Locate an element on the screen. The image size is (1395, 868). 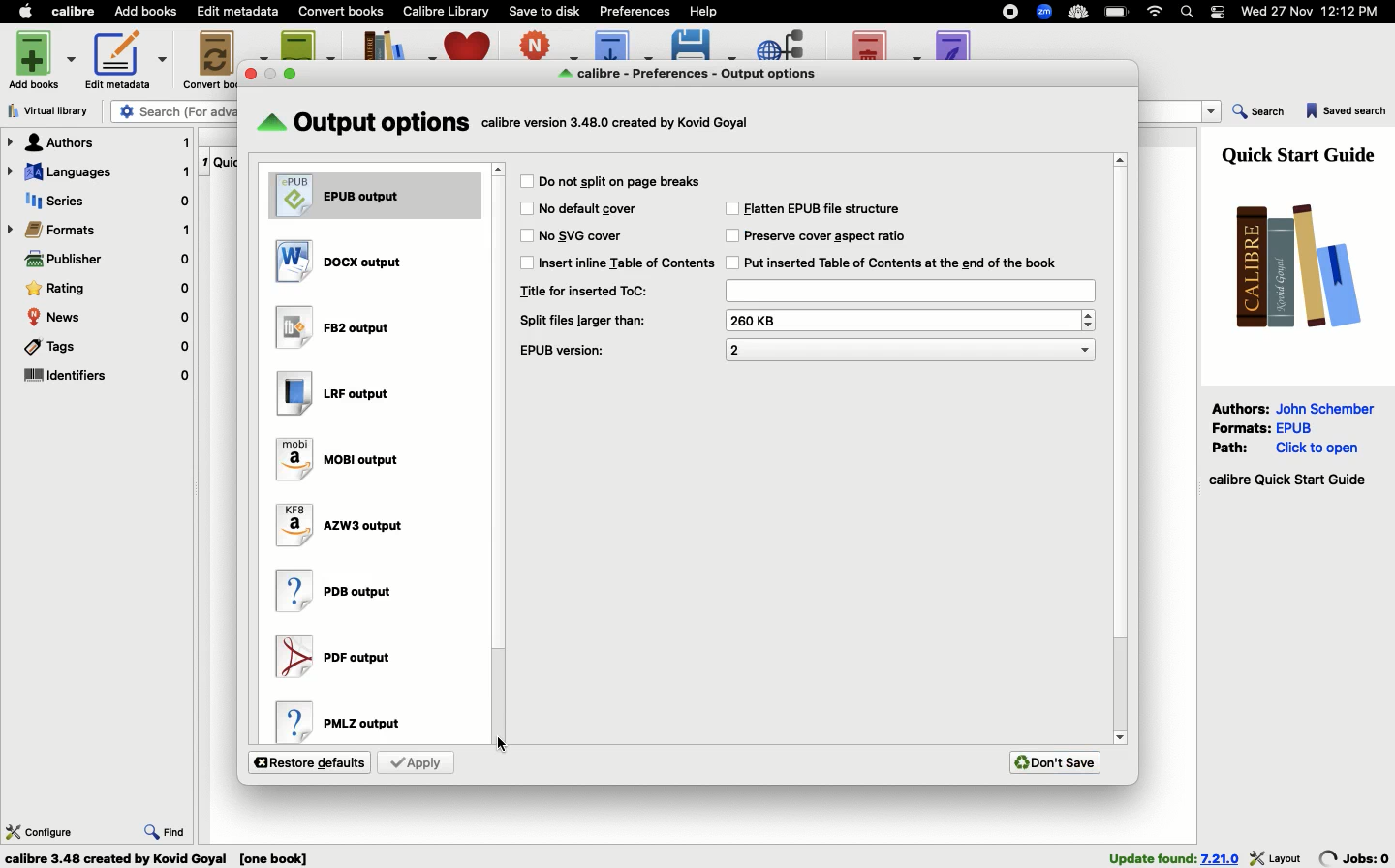
Edit metadata is located at coordinates (126, 60).